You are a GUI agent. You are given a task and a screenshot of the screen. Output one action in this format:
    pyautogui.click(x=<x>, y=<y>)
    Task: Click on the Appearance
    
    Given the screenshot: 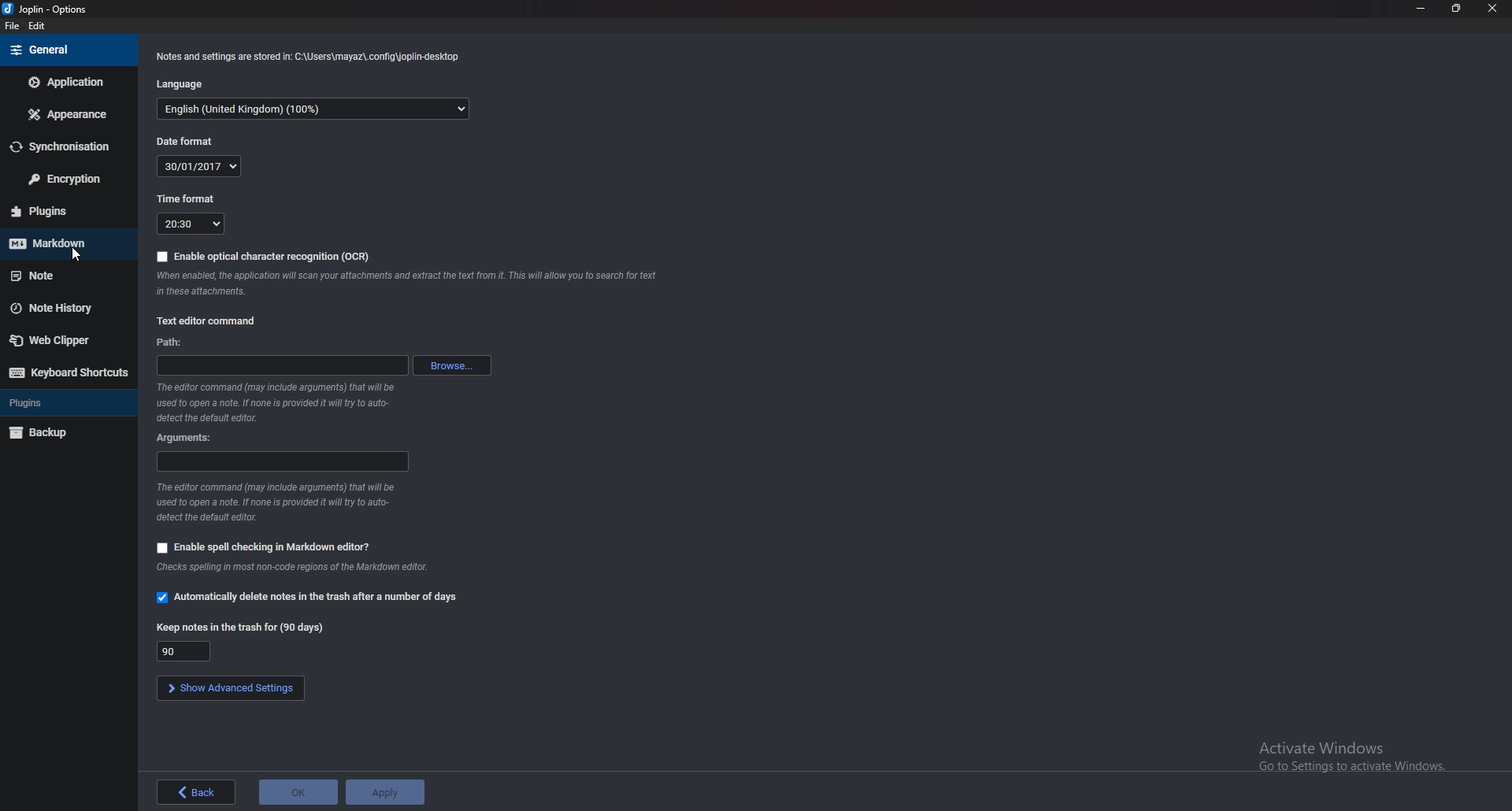 What is the action you would take?
    pyautogui.click(x=69, y=113)
    